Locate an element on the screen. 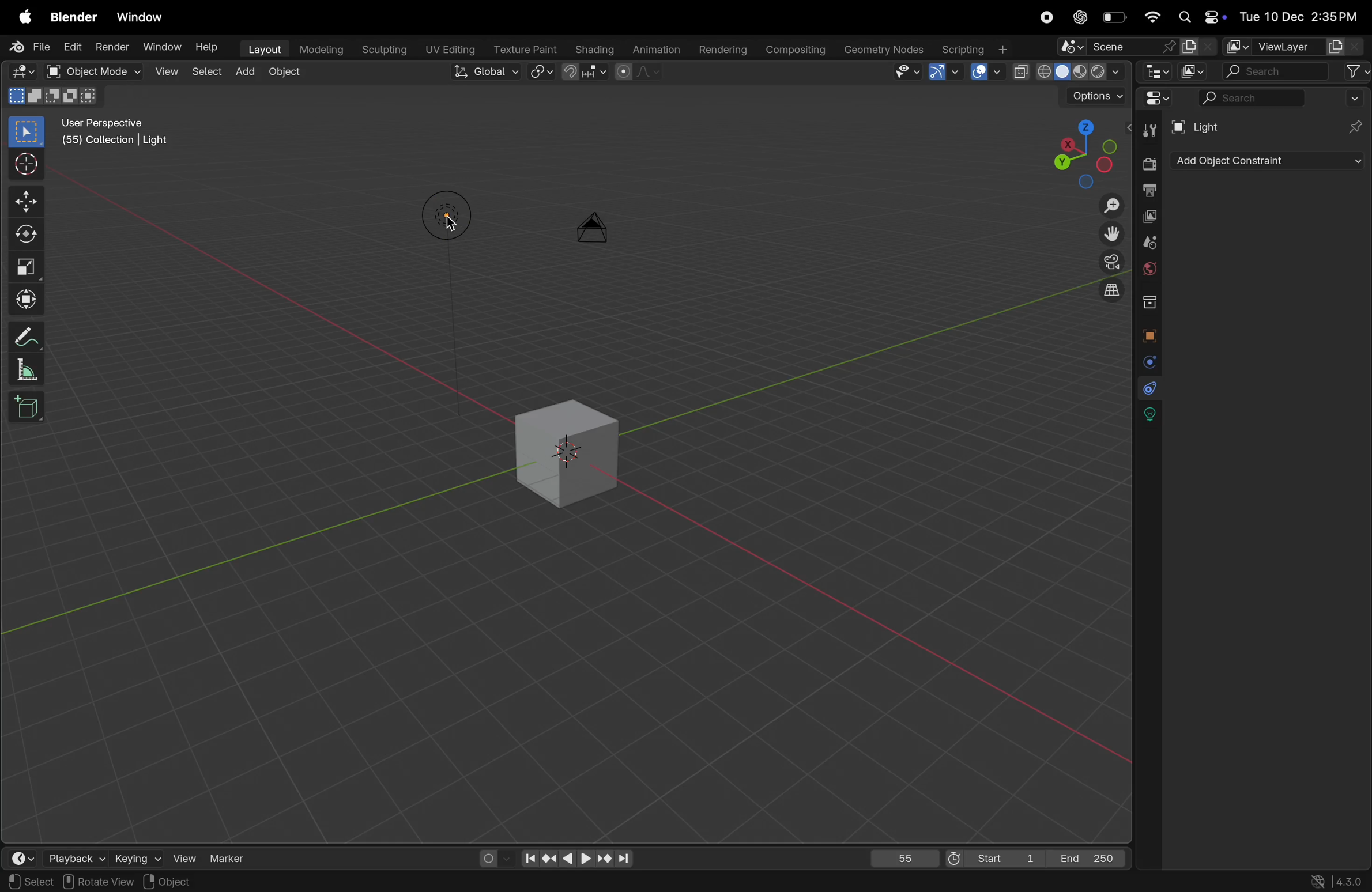 The height and width of the screenshot is (892, 1372). option is located at coordinates (1094, 96).